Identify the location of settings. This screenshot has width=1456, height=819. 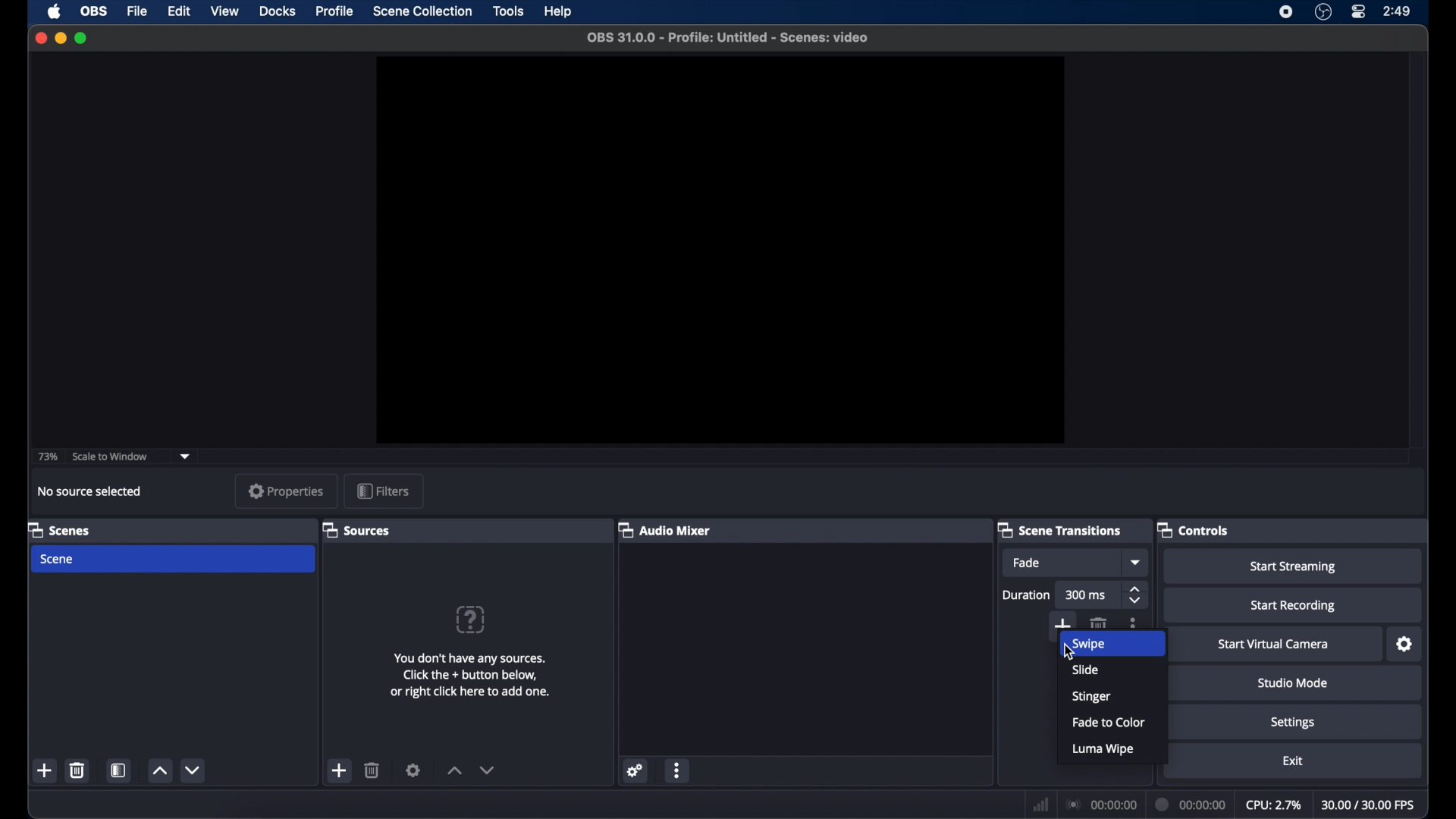
(413, 770).